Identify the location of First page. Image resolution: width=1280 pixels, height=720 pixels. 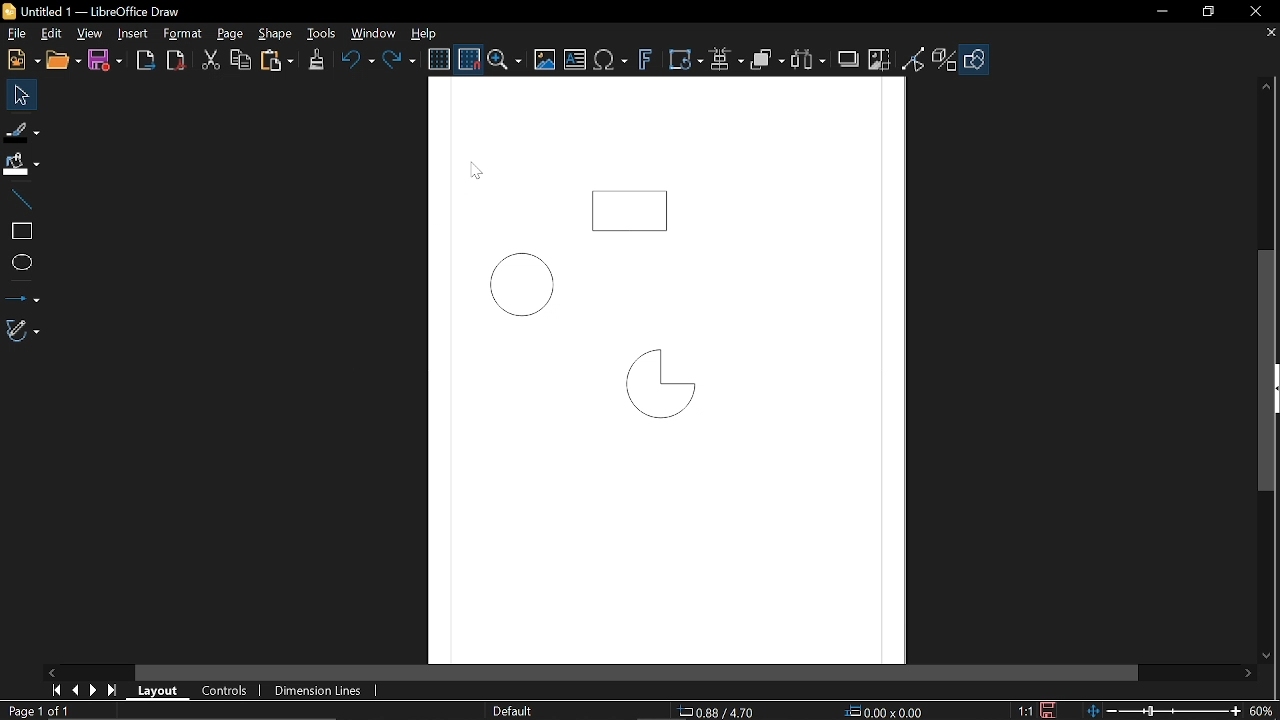
(54, 691).